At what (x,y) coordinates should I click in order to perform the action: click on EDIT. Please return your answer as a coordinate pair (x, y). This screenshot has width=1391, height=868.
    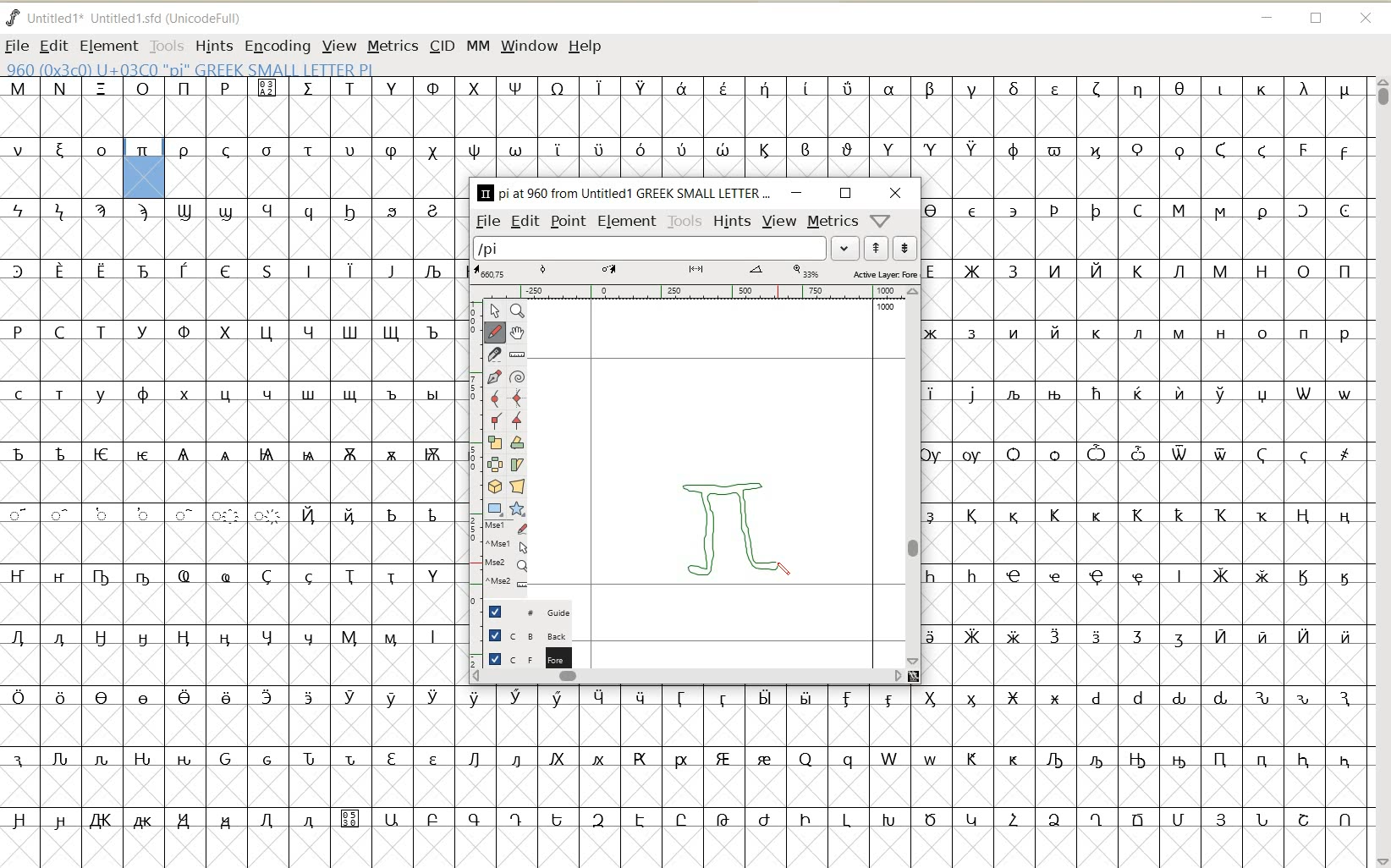
    Looking at the image, I should click on (53, 46).